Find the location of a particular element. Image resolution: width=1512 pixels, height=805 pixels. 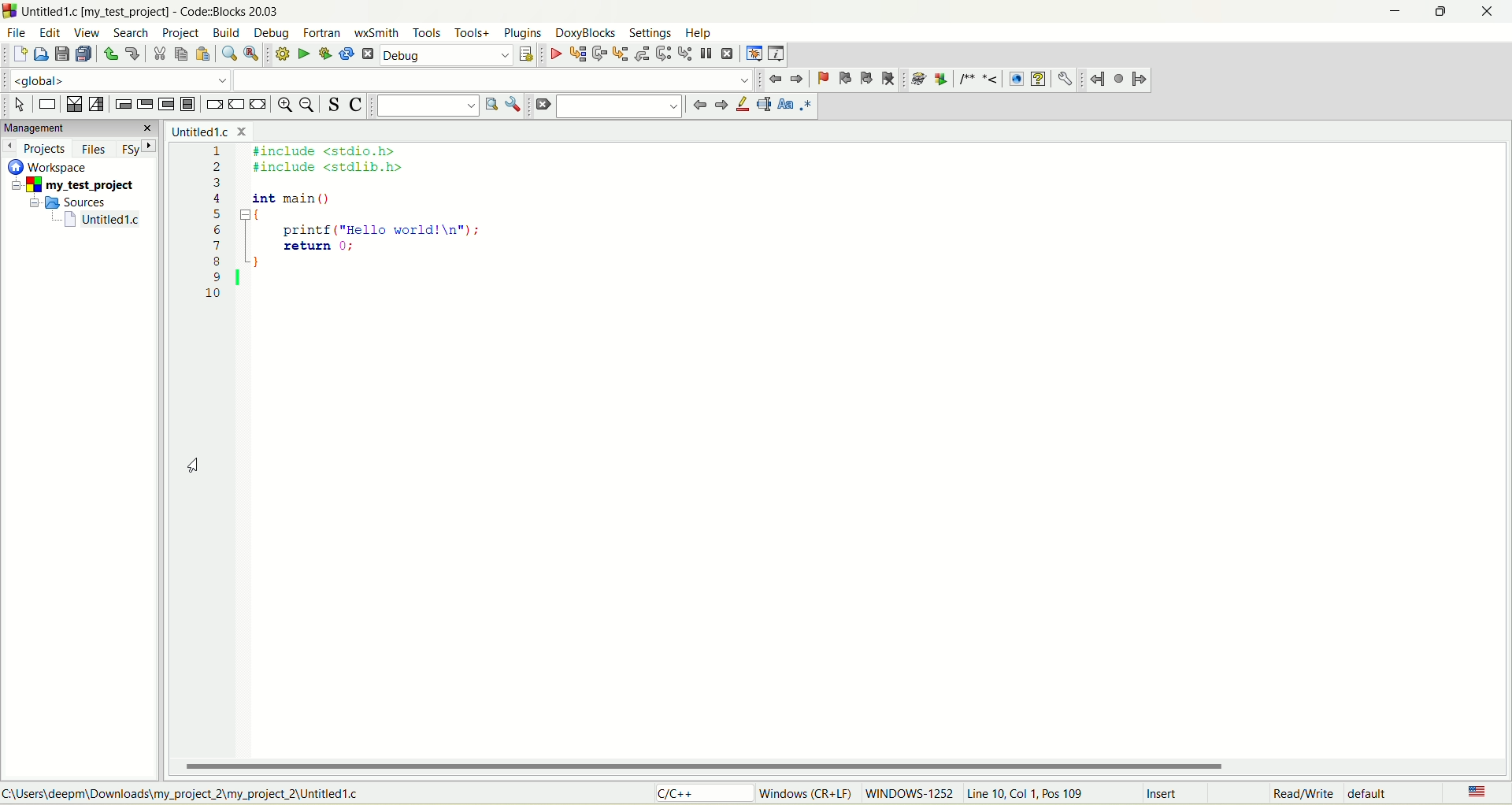

counting loop is located at coordinates (169, 105).